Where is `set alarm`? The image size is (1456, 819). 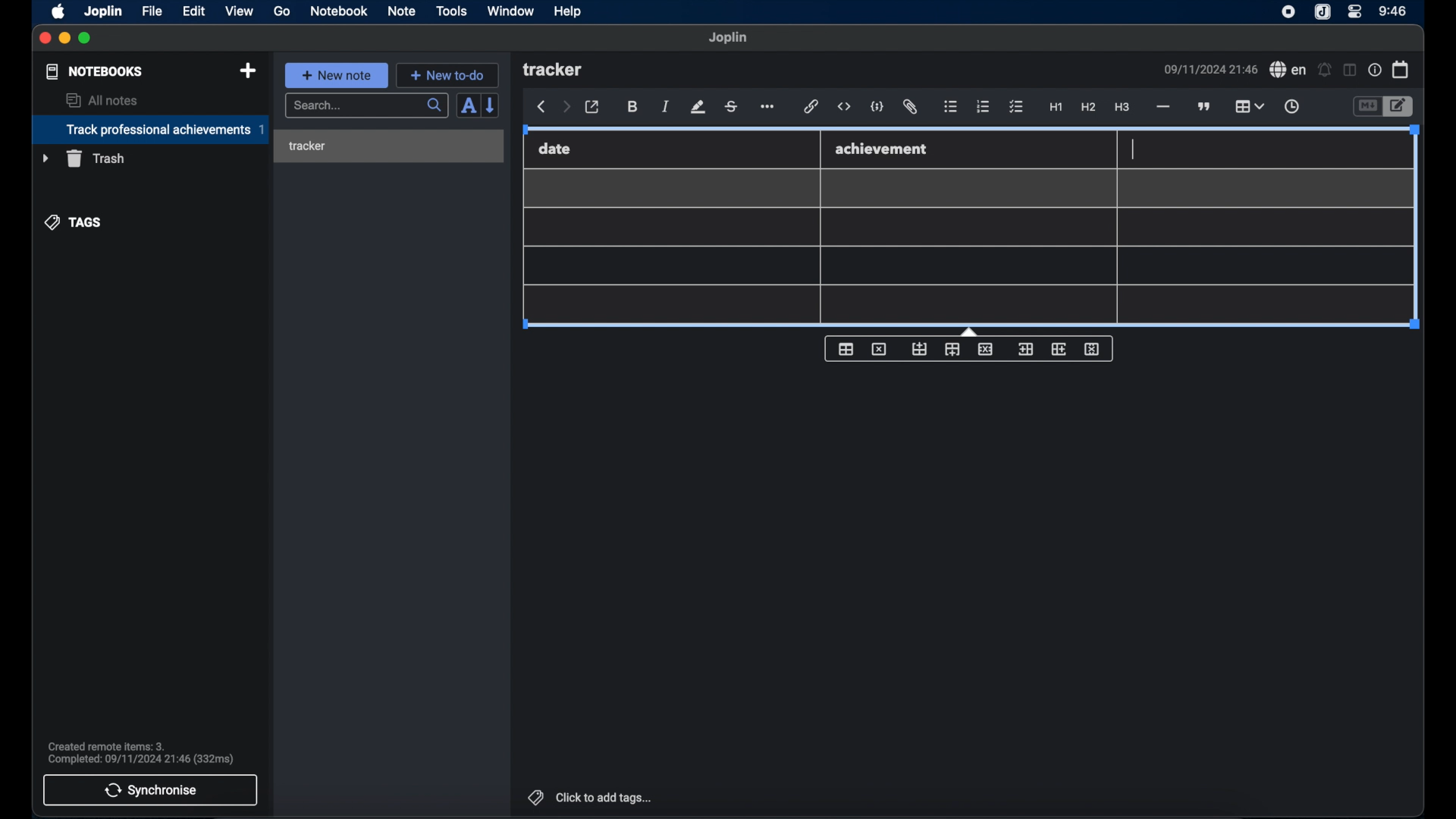 set alarm is located at coordinates (1324, 69).